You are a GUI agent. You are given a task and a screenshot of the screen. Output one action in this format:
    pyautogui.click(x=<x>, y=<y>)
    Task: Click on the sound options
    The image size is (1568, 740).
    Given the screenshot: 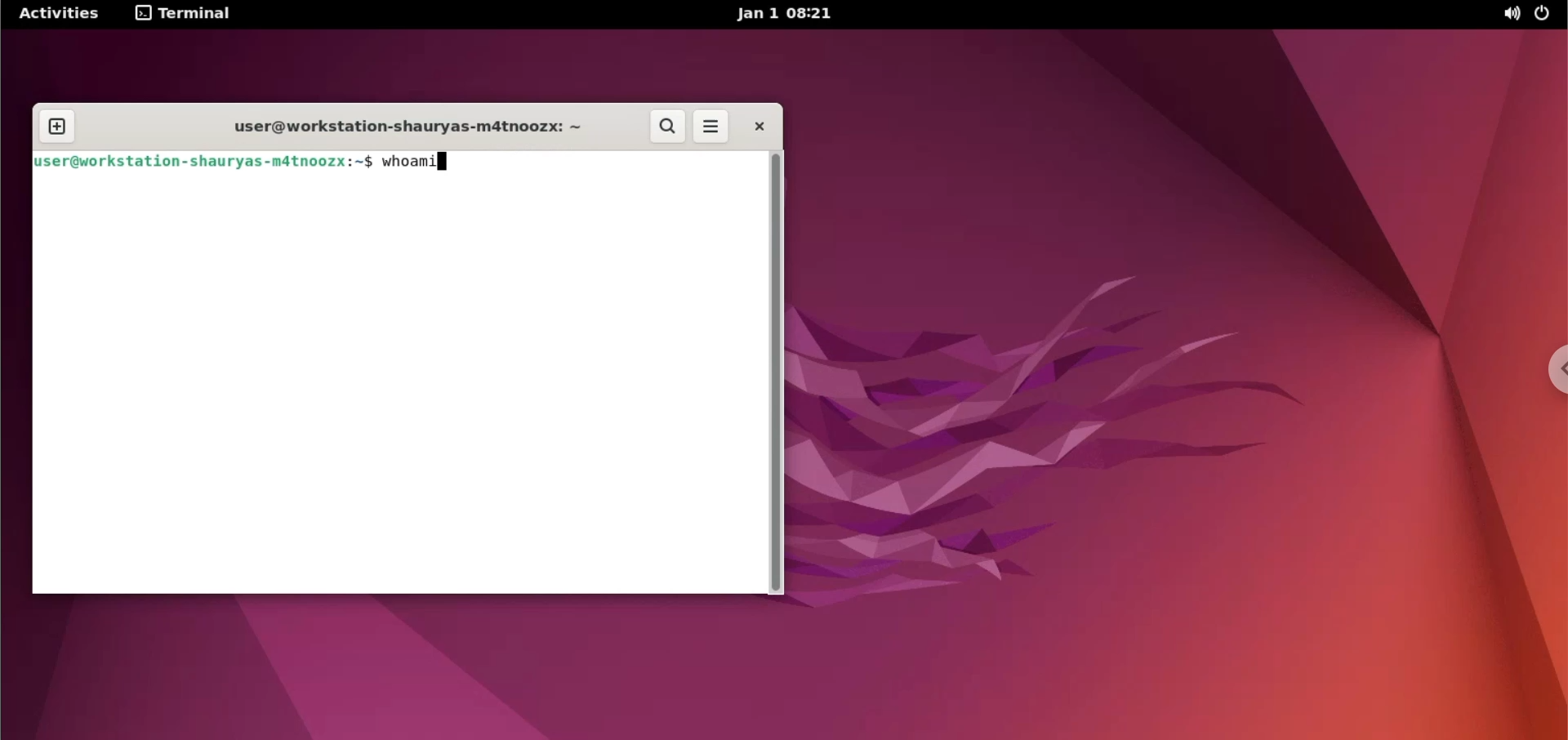 What is the action you would take?
    pyautogui.click(x=1507, y=16)
    